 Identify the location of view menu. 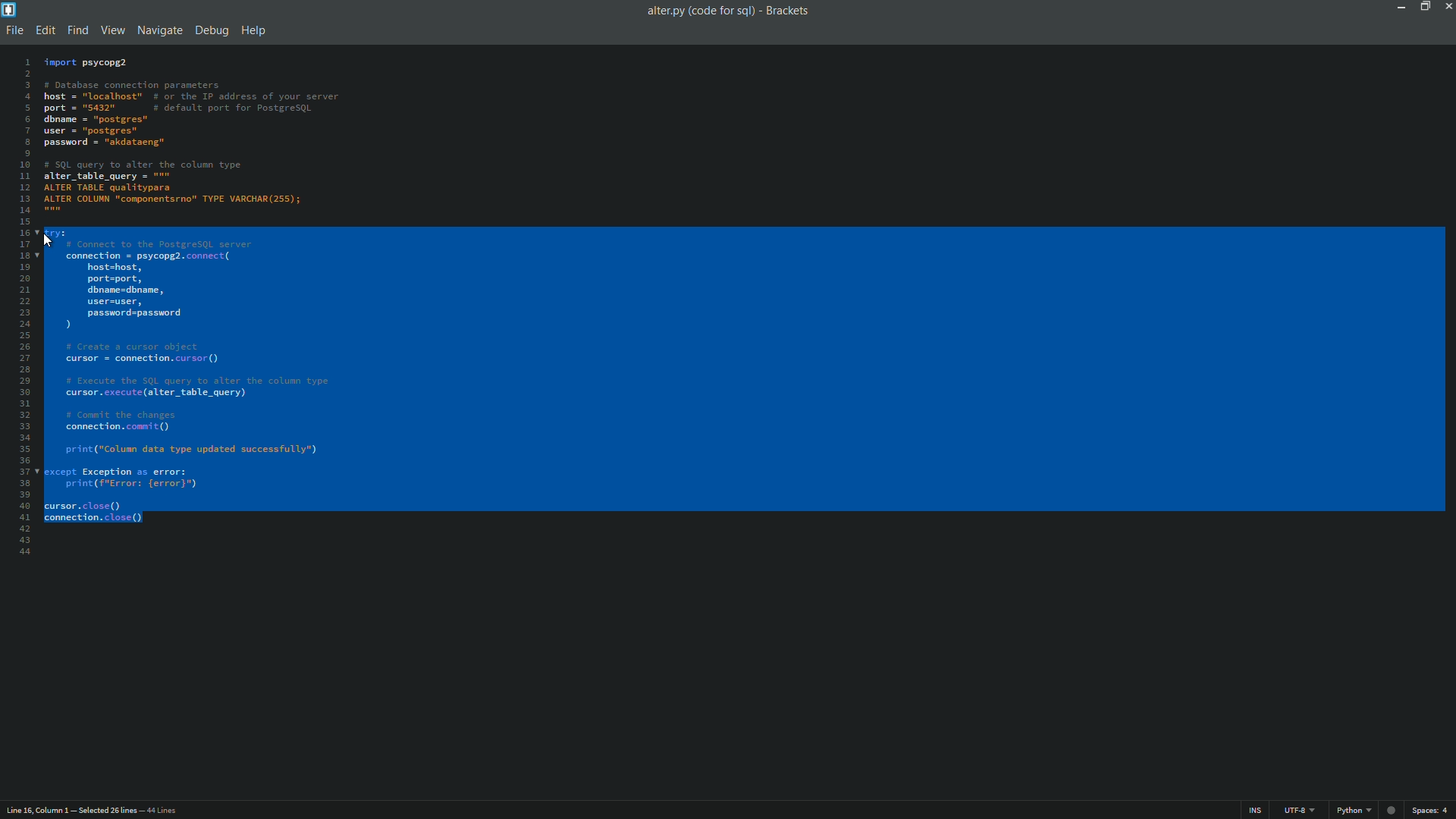
(115, 30).